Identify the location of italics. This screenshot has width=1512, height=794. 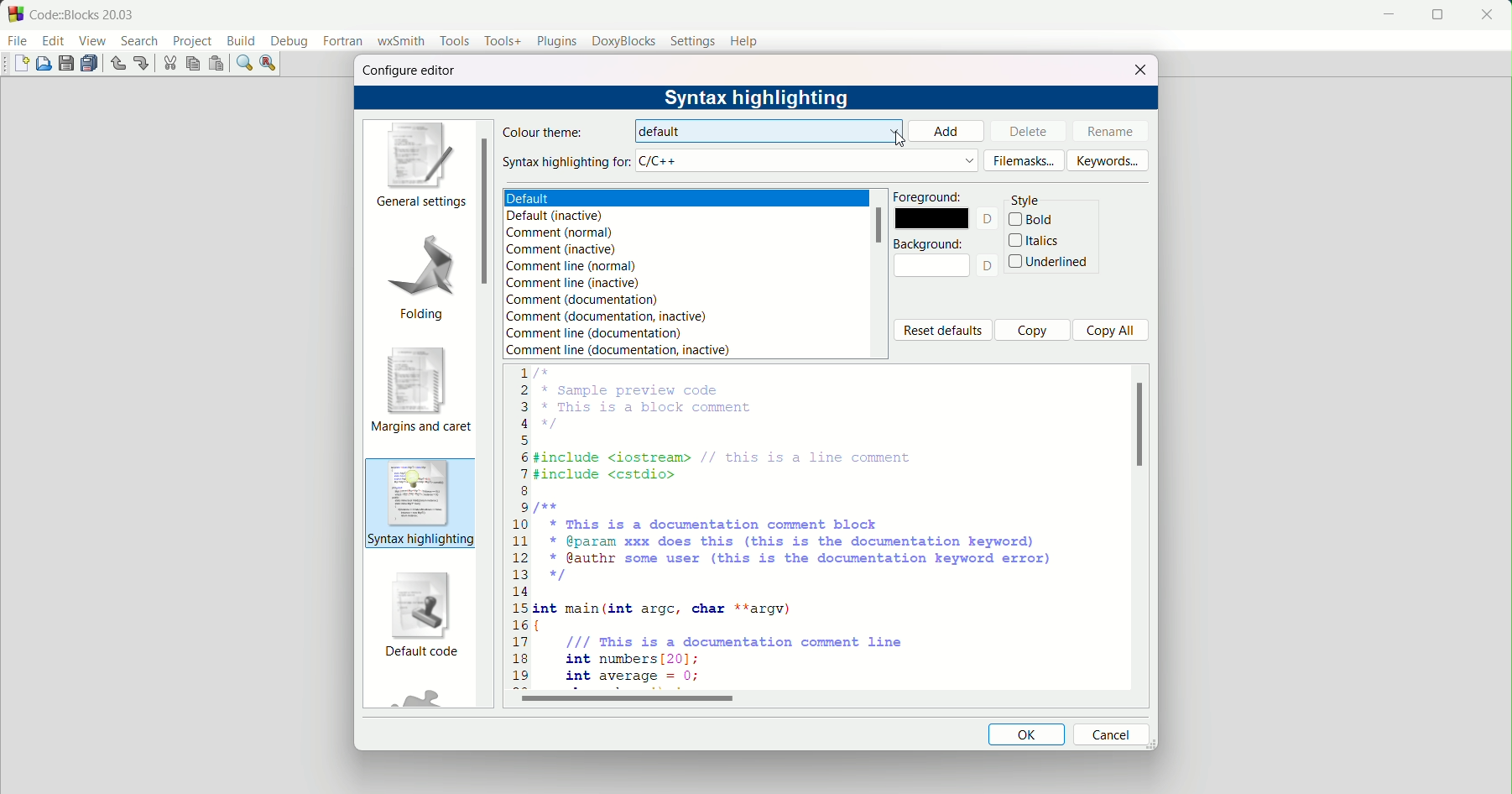
(1035, 240).